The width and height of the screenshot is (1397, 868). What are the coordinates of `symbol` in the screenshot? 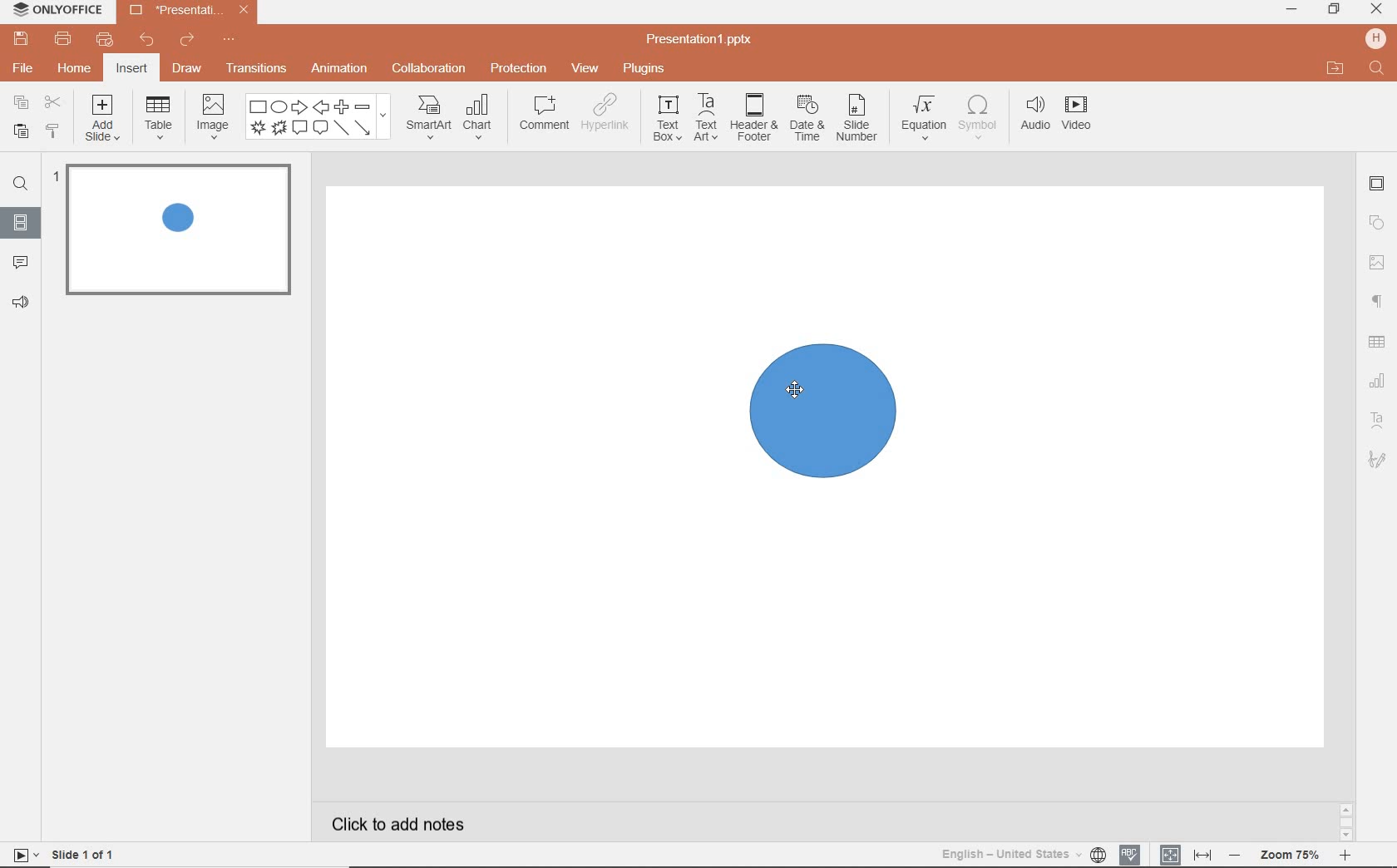 It's located at (977, 118).